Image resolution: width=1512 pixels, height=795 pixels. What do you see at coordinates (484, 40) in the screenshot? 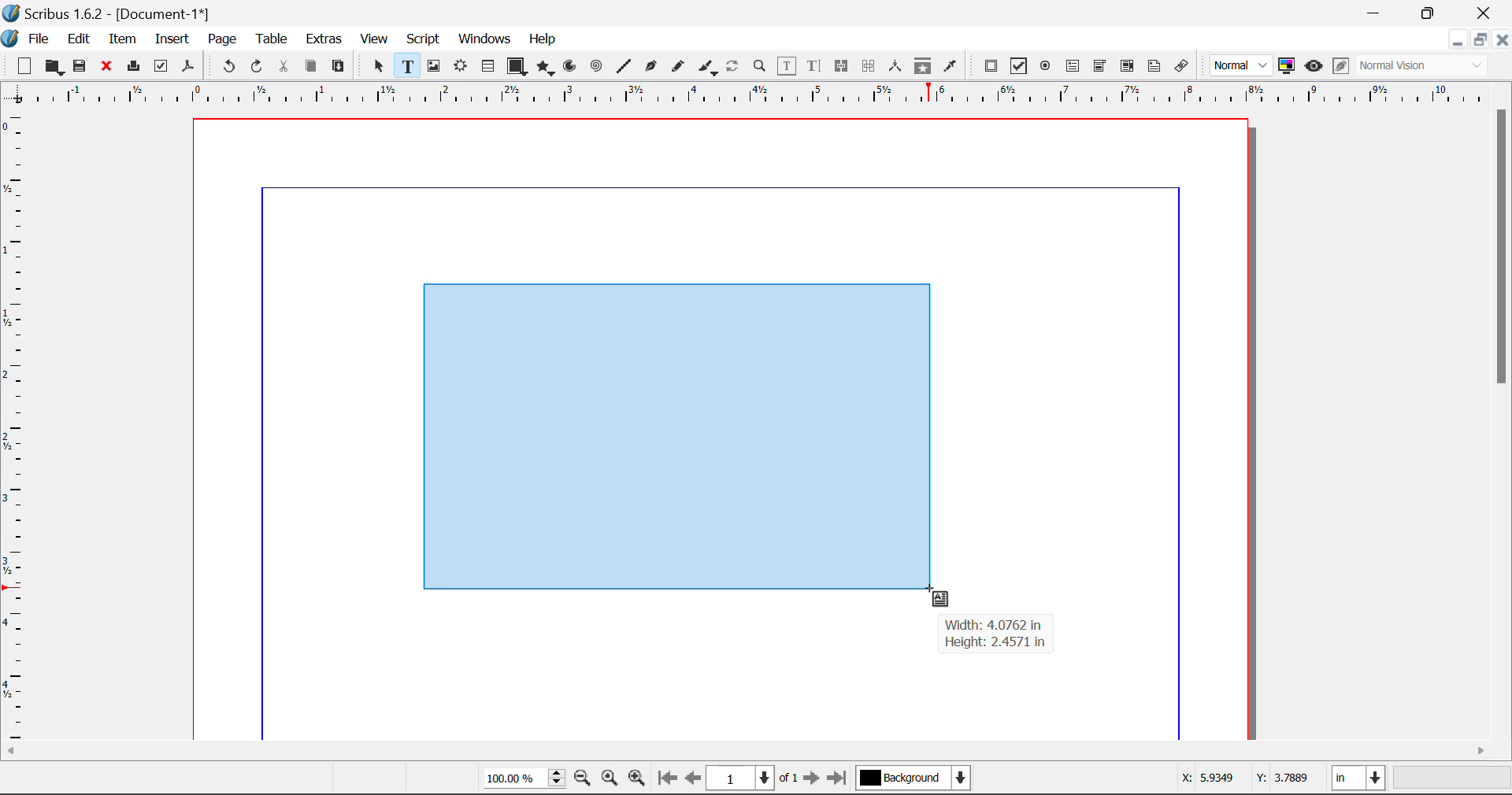
I see `Windows` at bounding box center [484, 40].